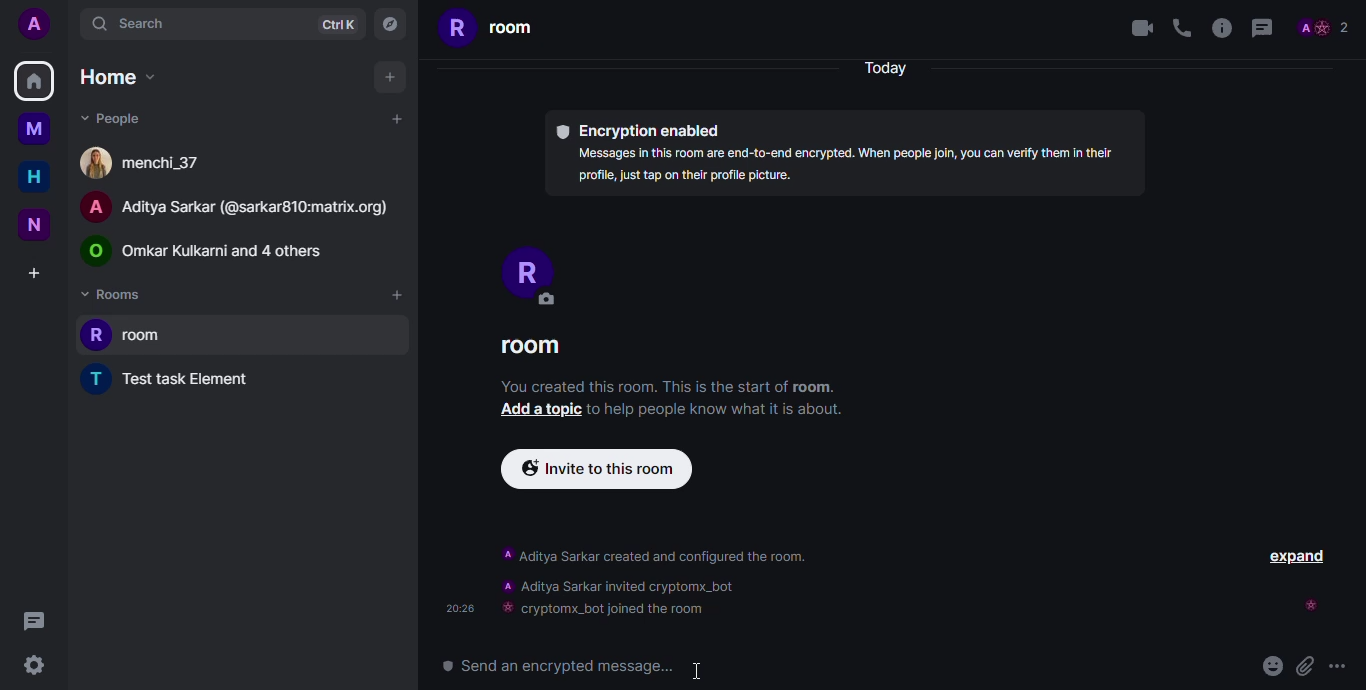 The image size is (1366, 690). Describe the element at coordinates (1296, 554) in the screenshot. I see `EXPAND` at that location.